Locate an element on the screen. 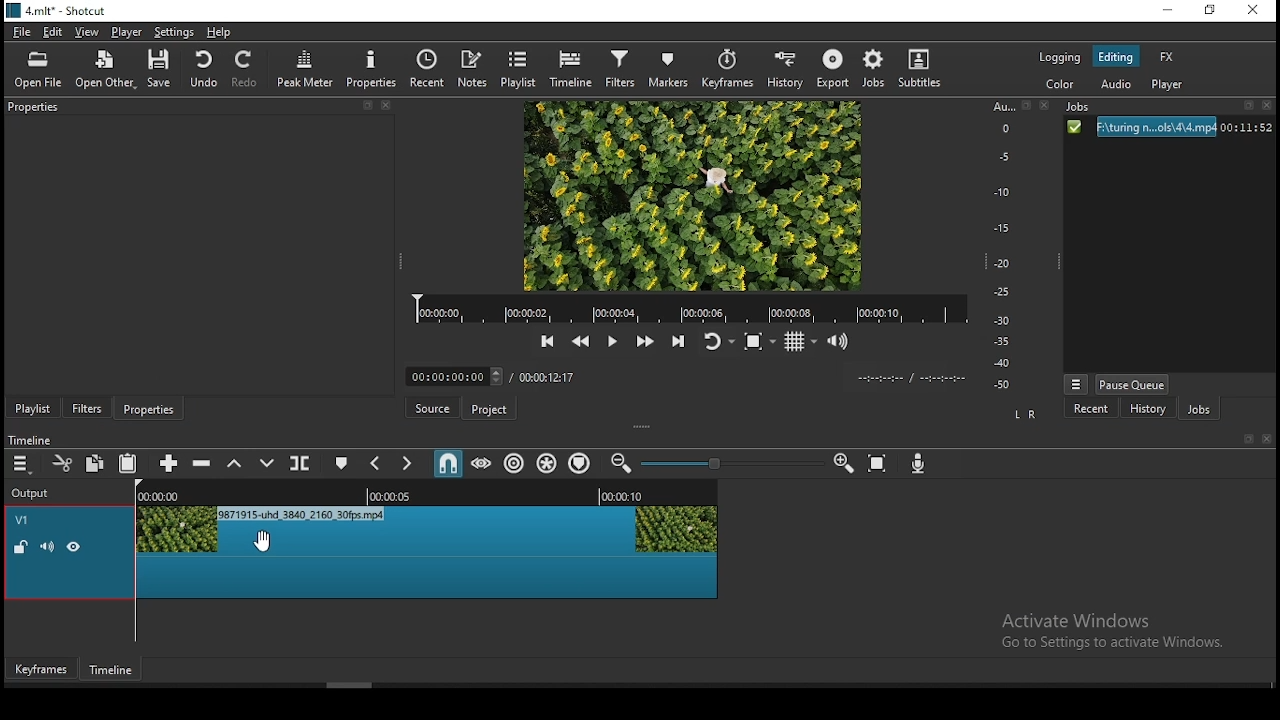 The image size is (1280, 720). append is located at coordinates (166, 462).